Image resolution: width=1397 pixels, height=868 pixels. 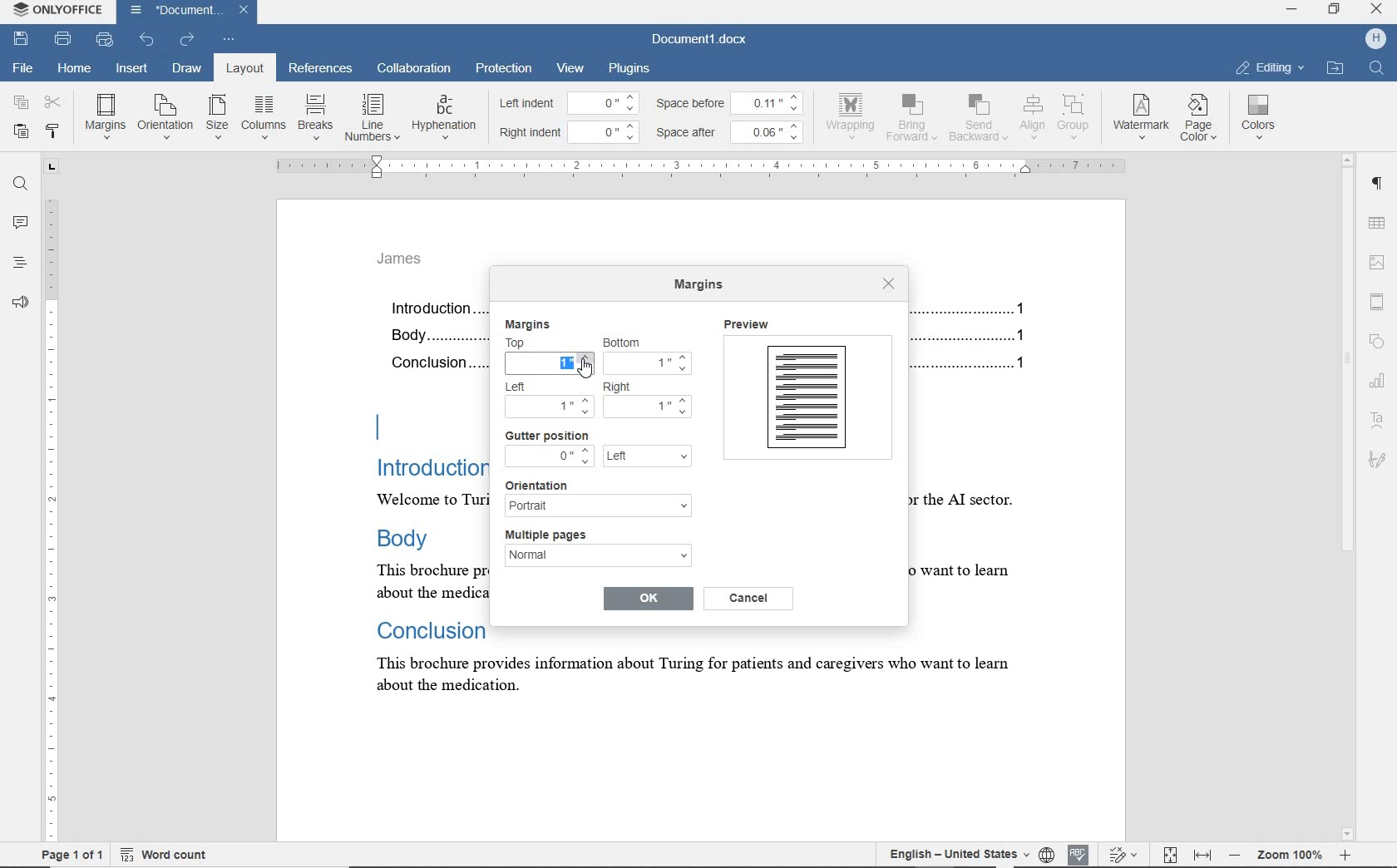 What do you see at coordinates (647, 404) in the screenshot?
I see `1` at bounding box center [647, 404].